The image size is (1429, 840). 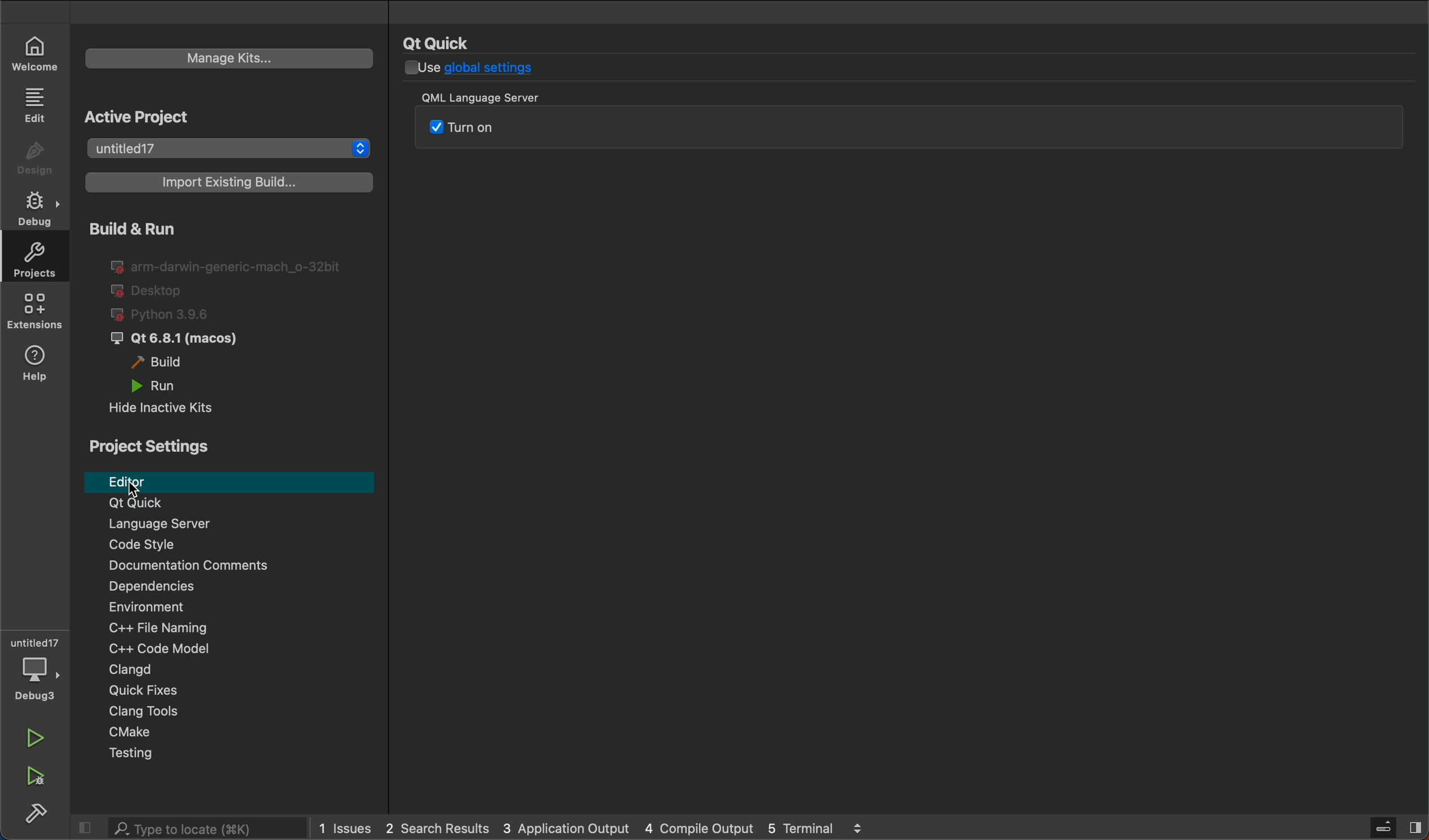 I want to click on build and run, so click(x=129, y=228).